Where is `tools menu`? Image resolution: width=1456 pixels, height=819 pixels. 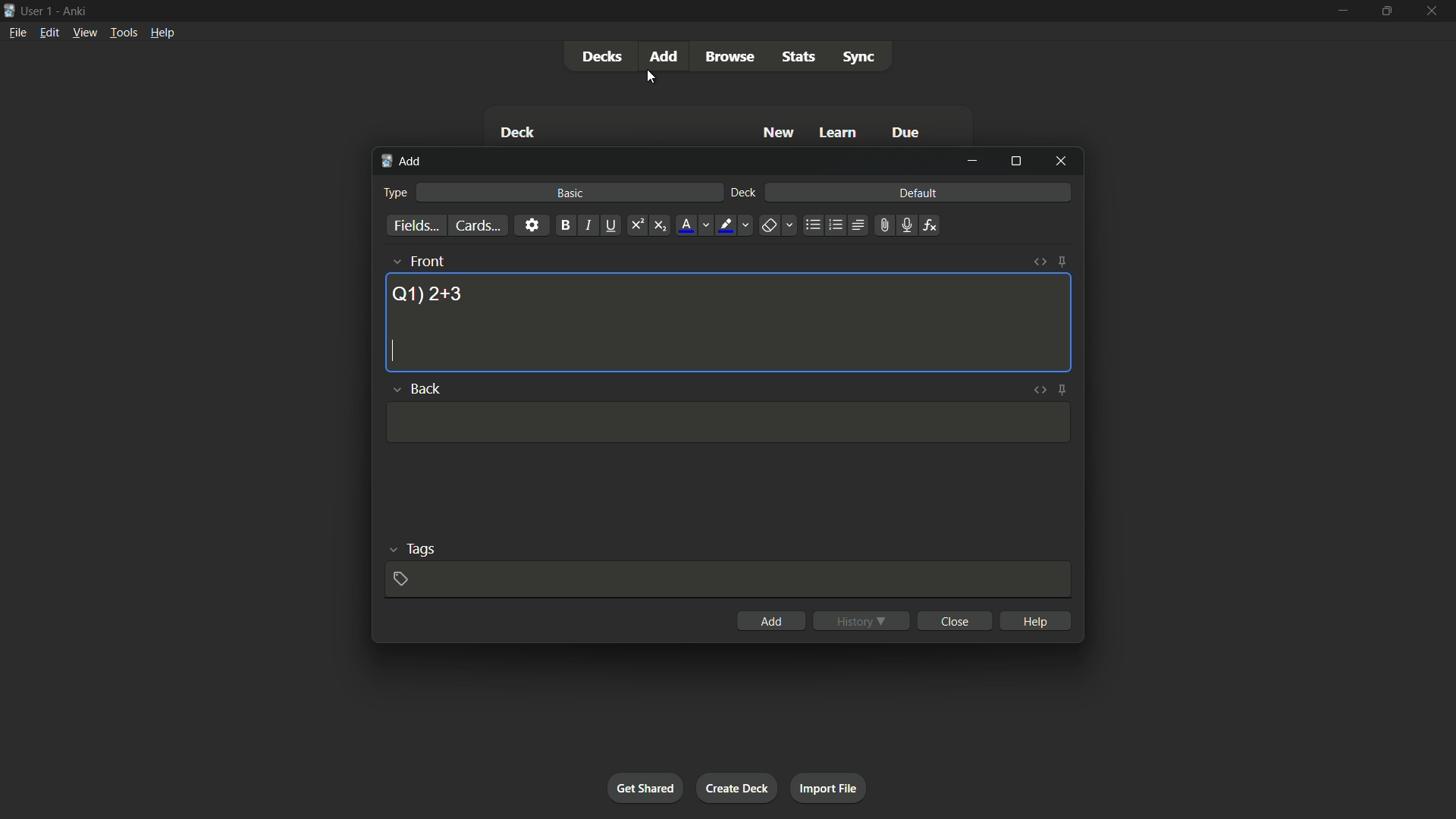 tools menu is located at coordinates (123, 32).